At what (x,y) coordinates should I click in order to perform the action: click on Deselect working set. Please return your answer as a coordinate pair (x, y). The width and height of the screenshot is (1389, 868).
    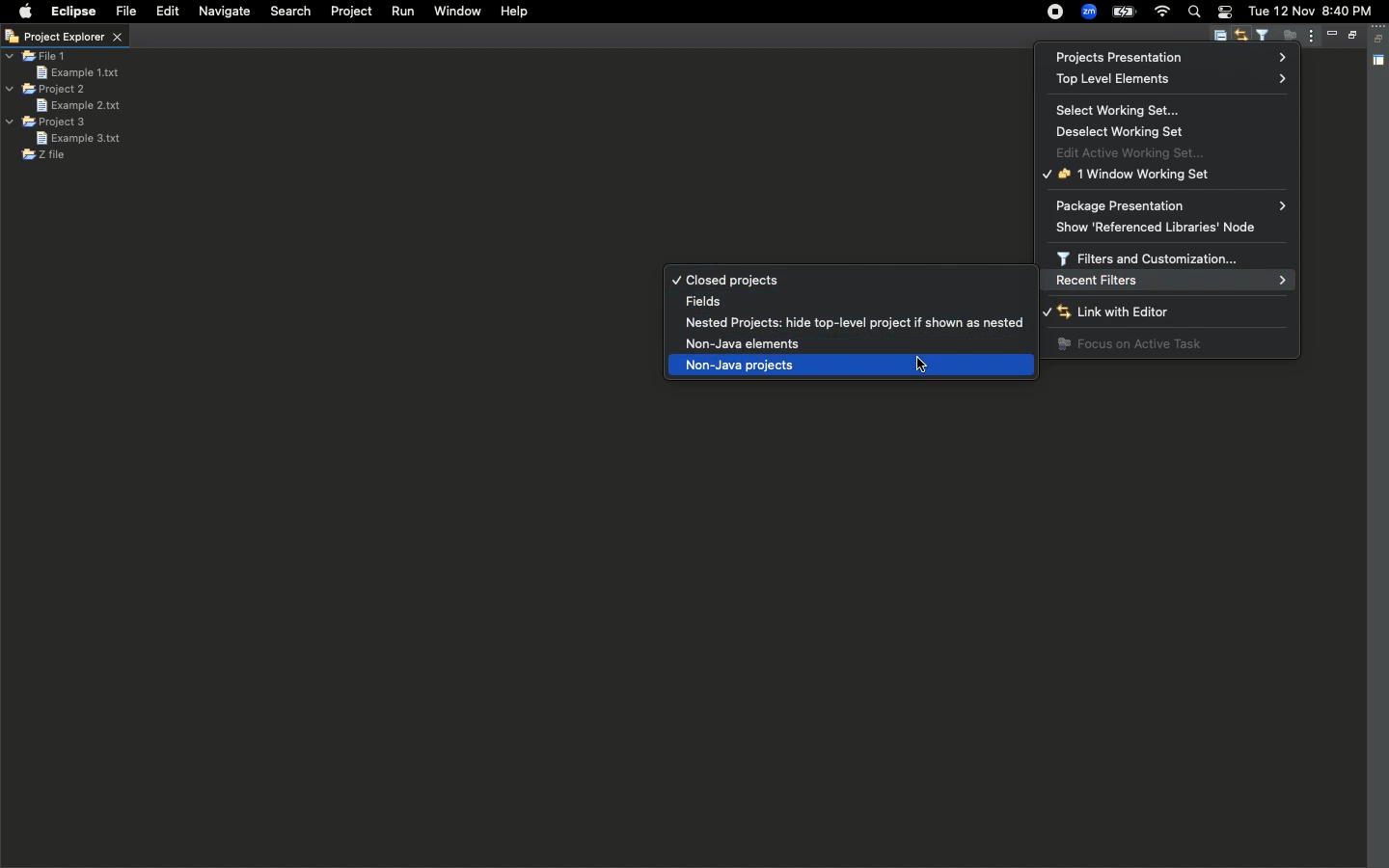
    Looking at the image, I should click on (1129, 131).